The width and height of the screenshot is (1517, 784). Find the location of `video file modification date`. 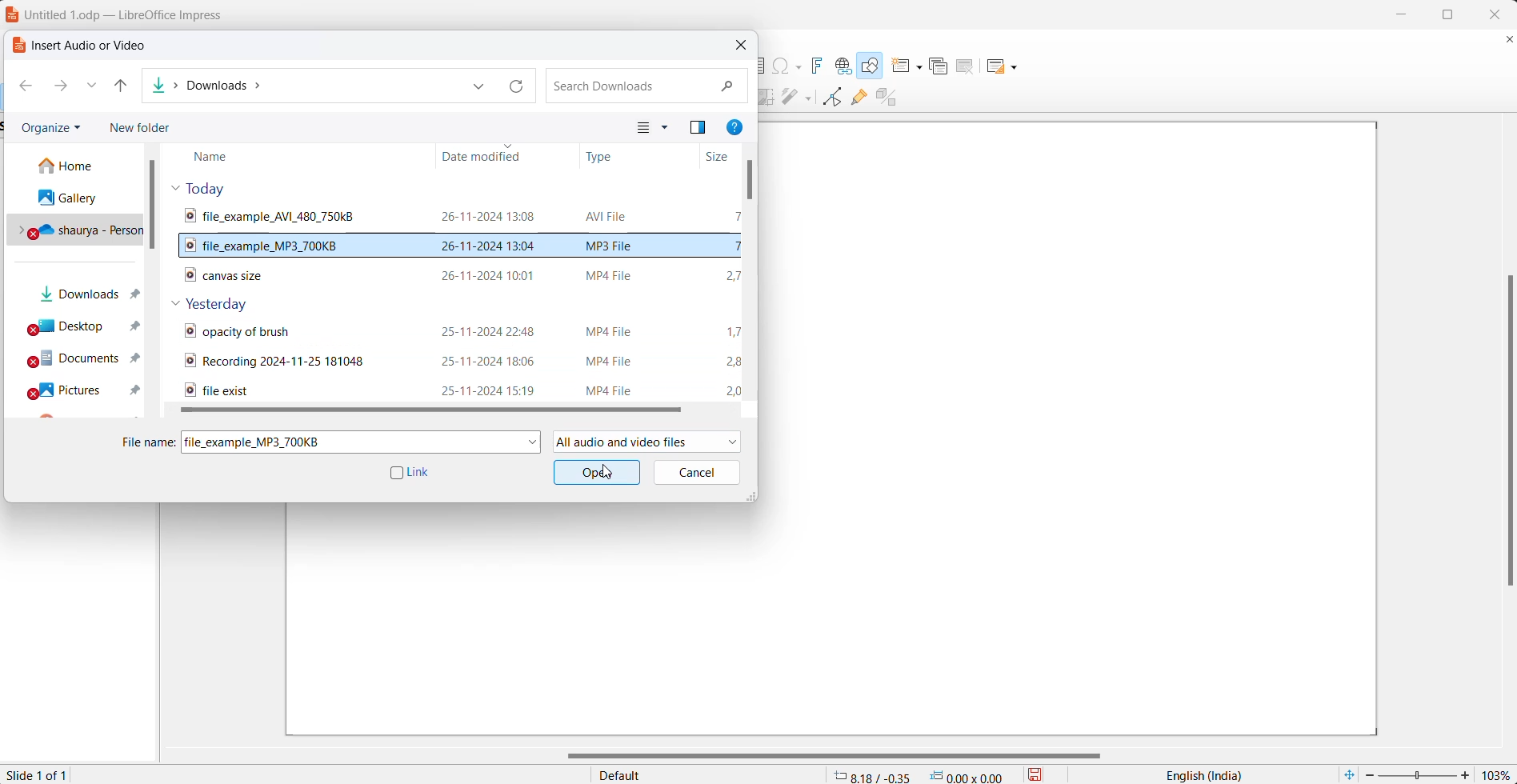

video file modification date is located at coordinates (494, 275).